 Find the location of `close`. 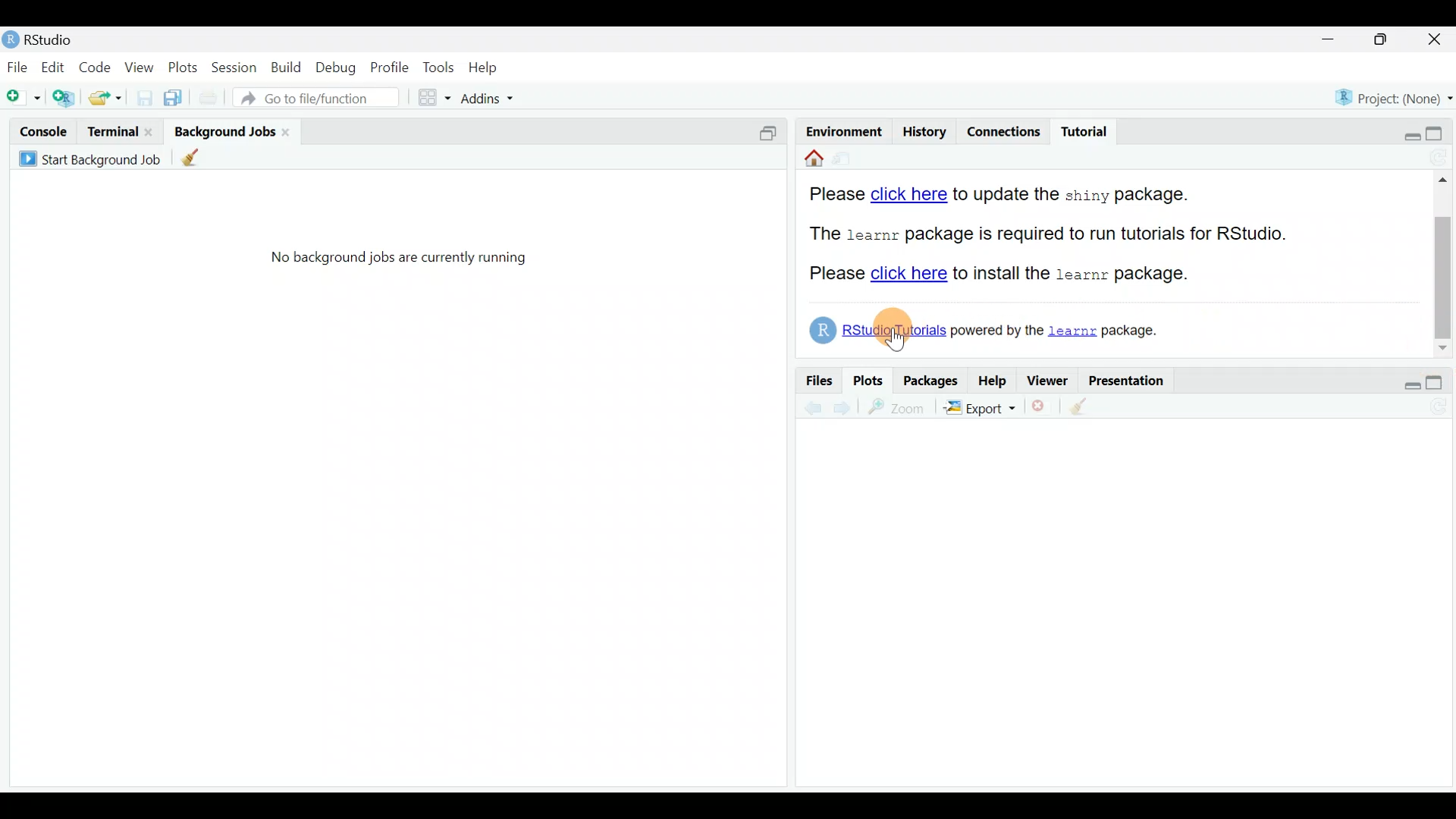

close is located at coordinates (288, 132).